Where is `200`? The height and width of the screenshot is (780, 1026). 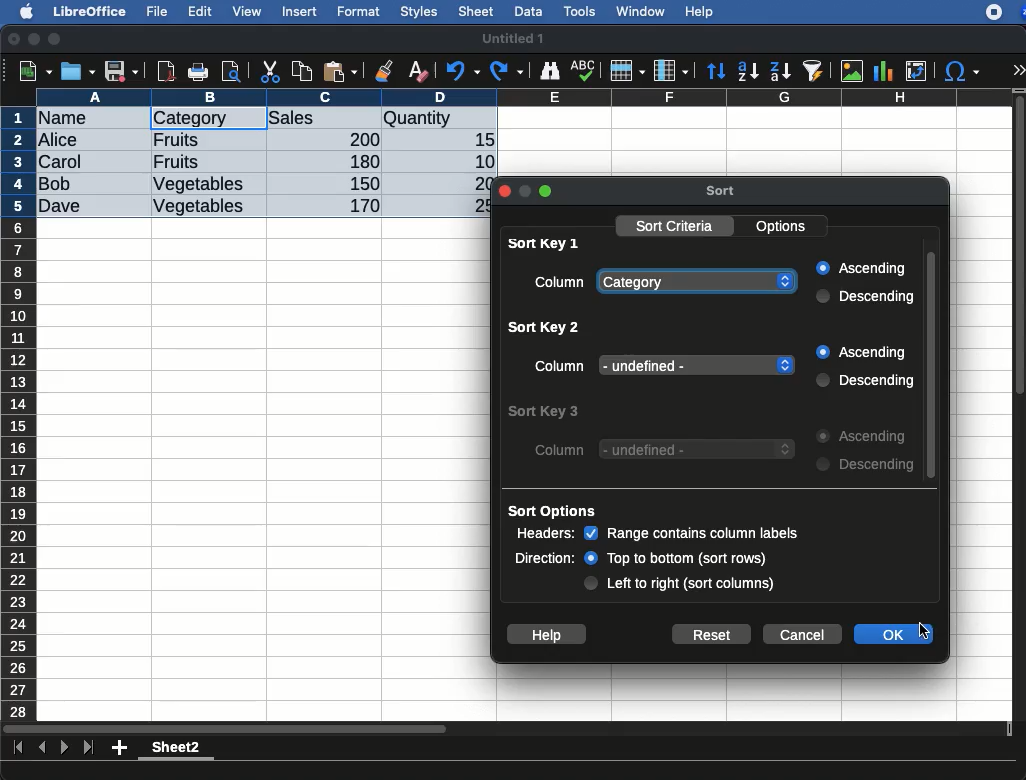 200 is located at coordinates (359, 139).